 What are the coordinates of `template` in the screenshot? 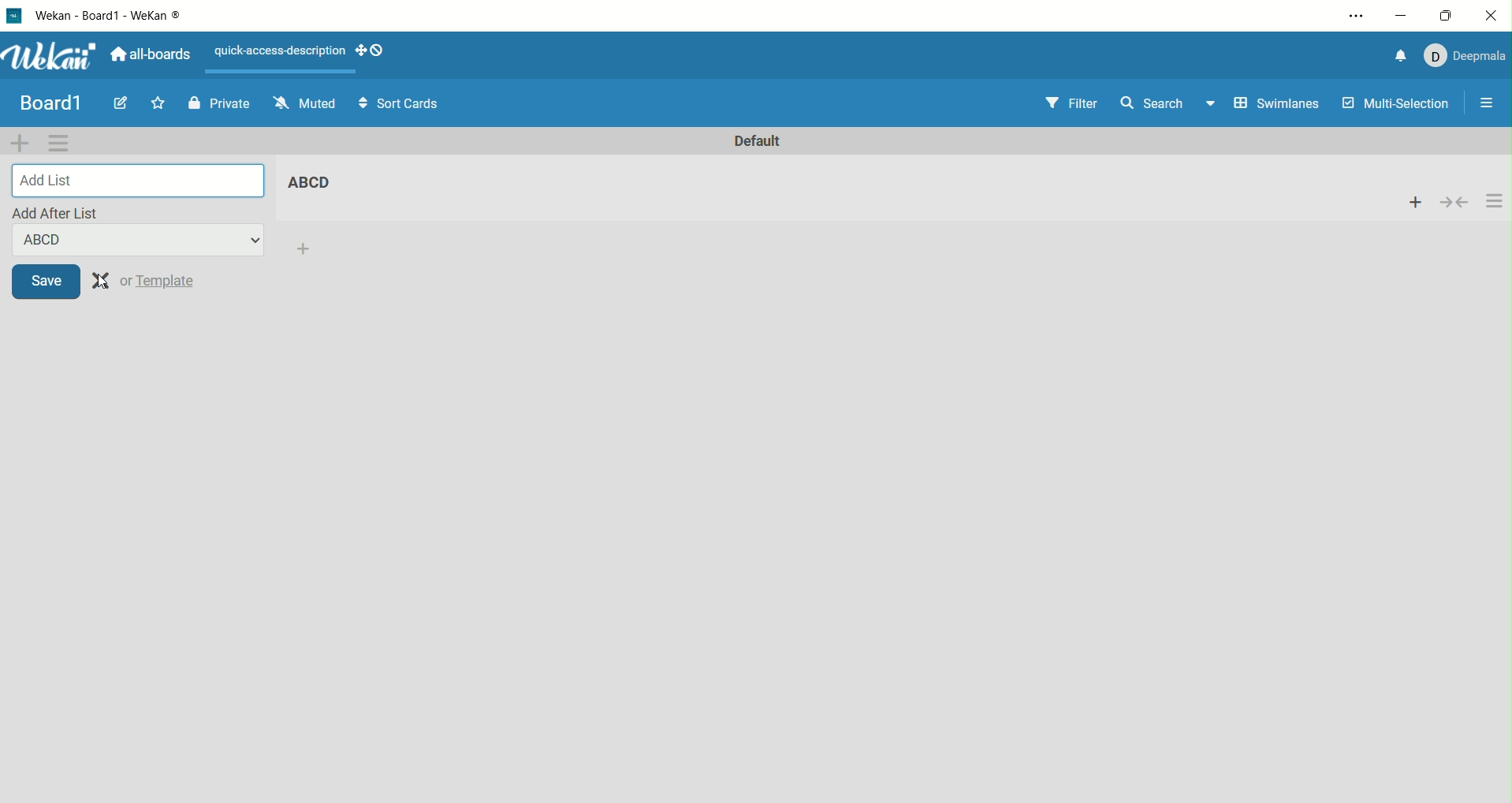 It's located at (169, 284).